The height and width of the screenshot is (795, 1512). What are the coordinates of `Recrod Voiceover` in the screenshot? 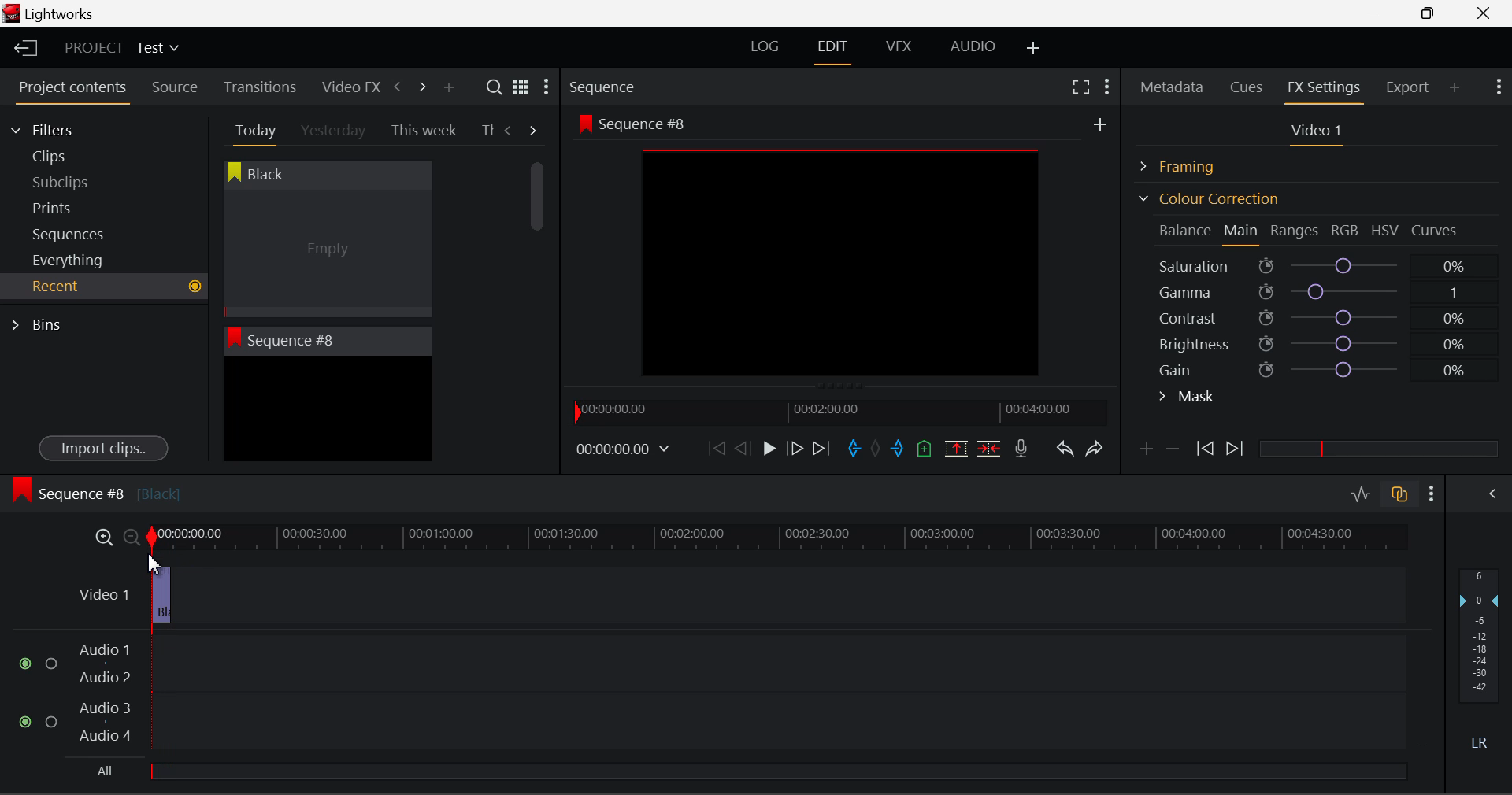 It's located at (1021, 448).